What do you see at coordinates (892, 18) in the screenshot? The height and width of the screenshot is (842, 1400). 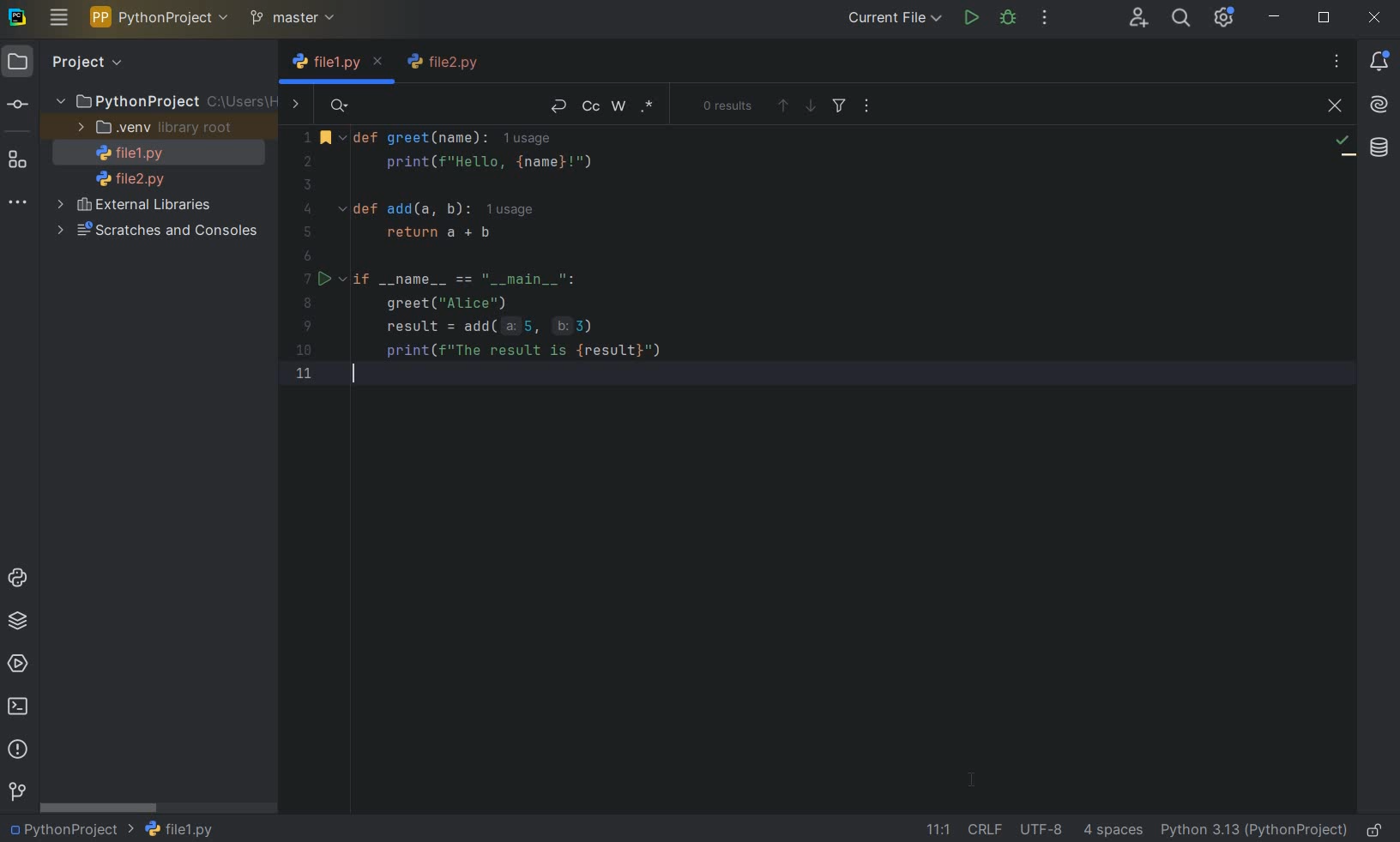 I see `CURRENT FILE` at bounding box center [892, 18].